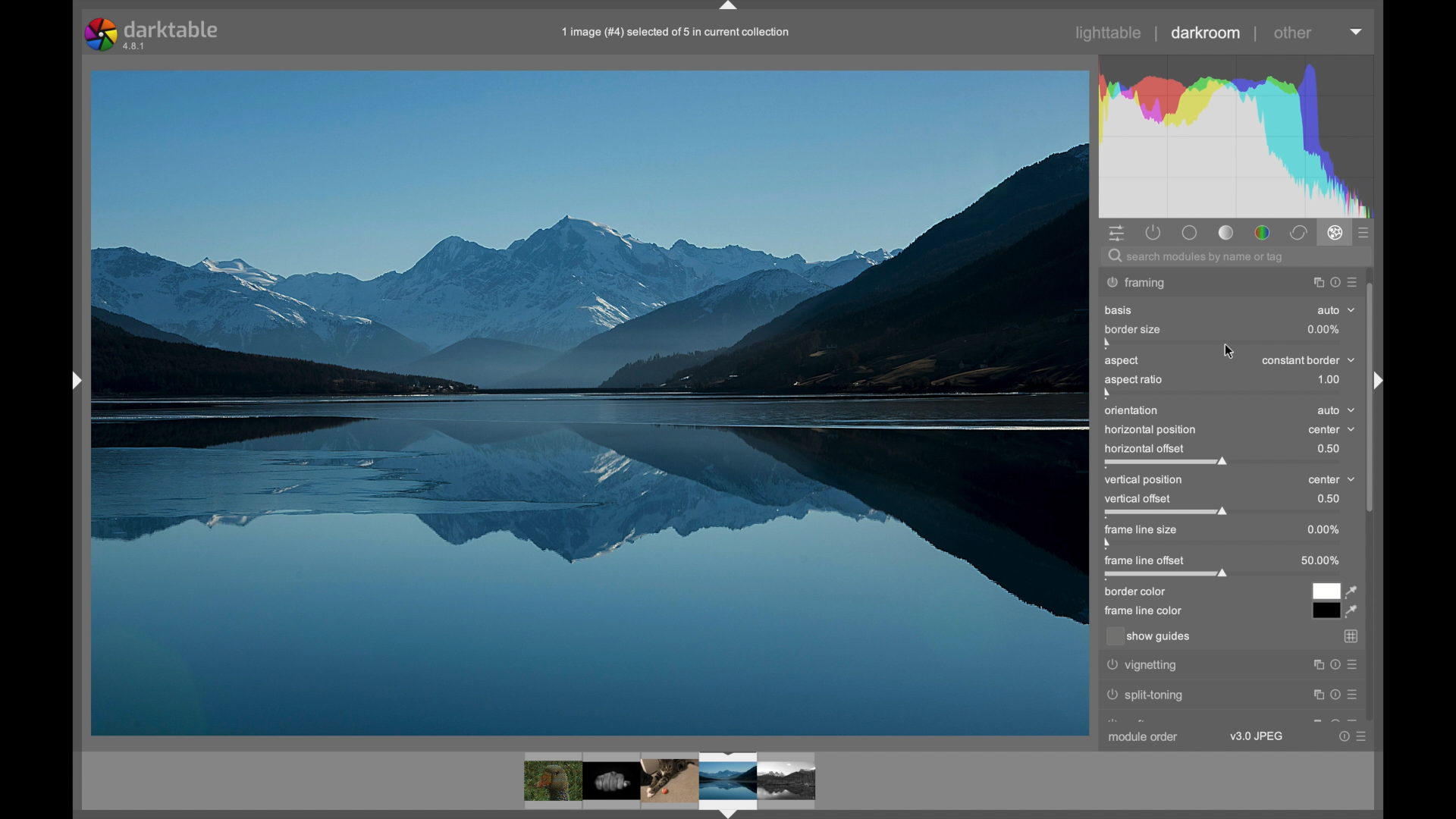 The height and width of the screenshot is (819, 1456). Describe the element at coordinates (1155, 233) in the screenshot. I see `show all active modules` at that location.